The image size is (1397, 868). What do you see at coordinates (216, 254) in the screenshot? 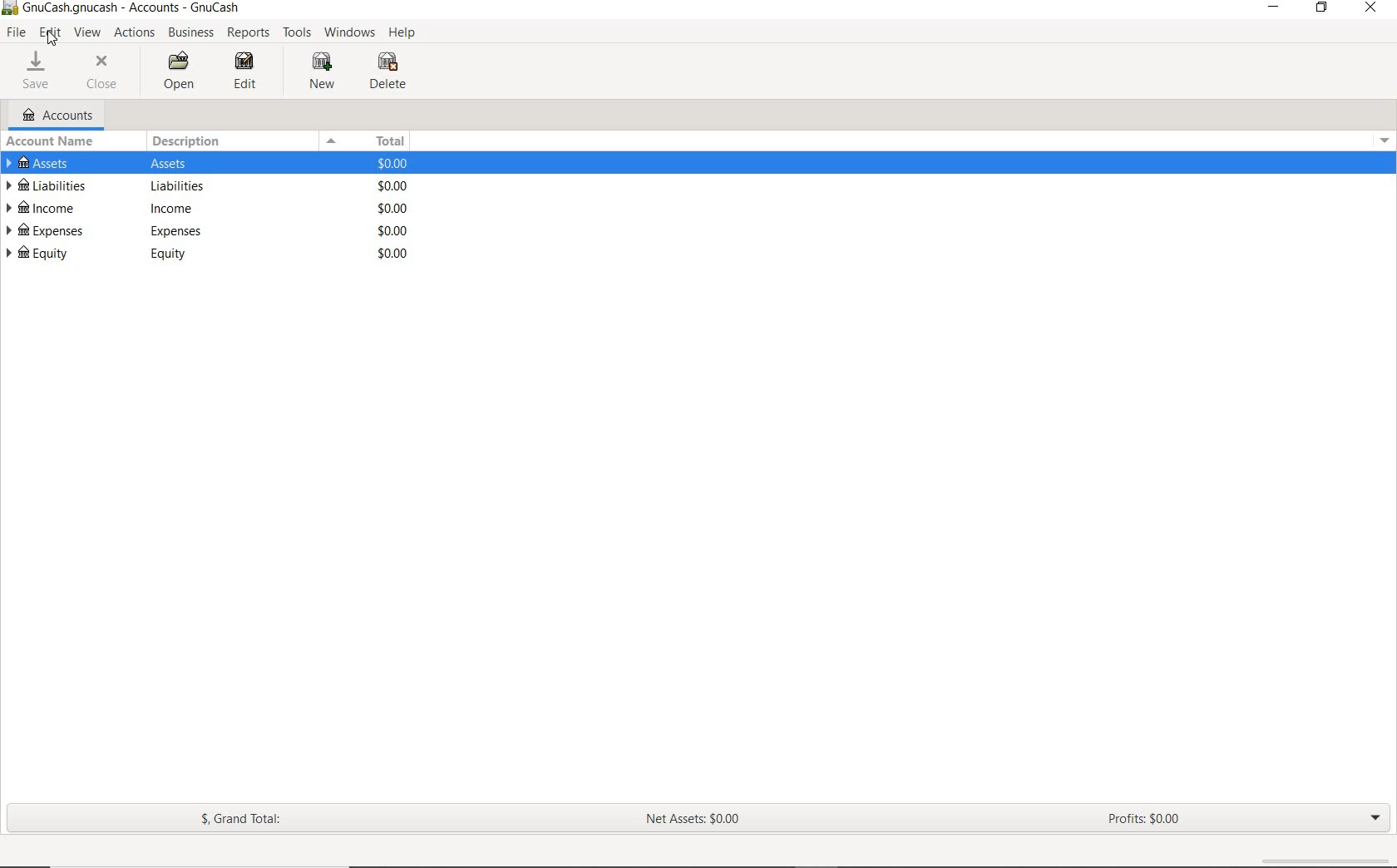
I see `EQUITY` at bounding box center [216, 254].